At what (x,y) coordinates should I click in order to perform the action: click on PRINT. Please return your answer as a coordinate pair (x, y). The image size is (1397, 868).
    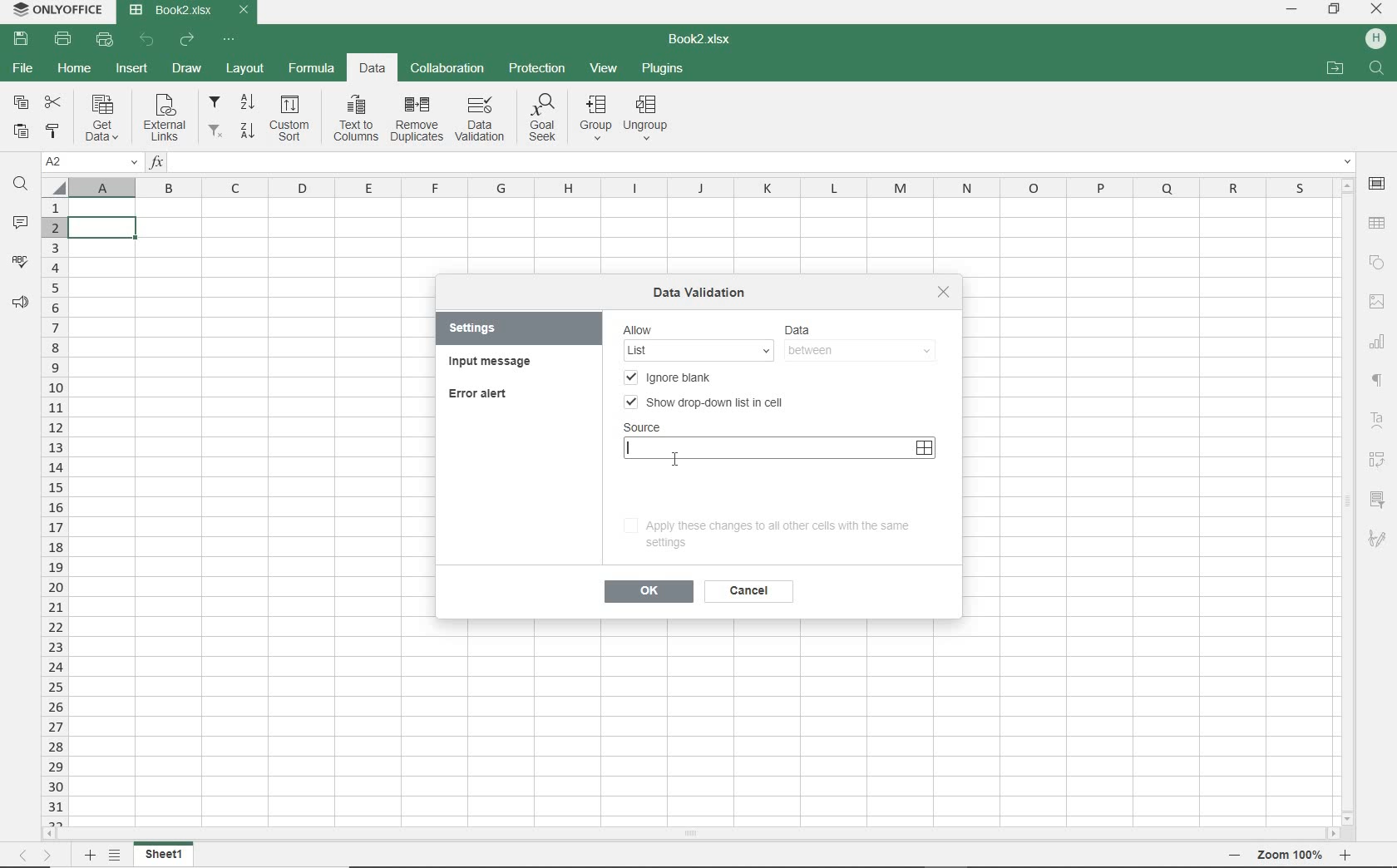
    Looking at the image, I should click on (63, 40).